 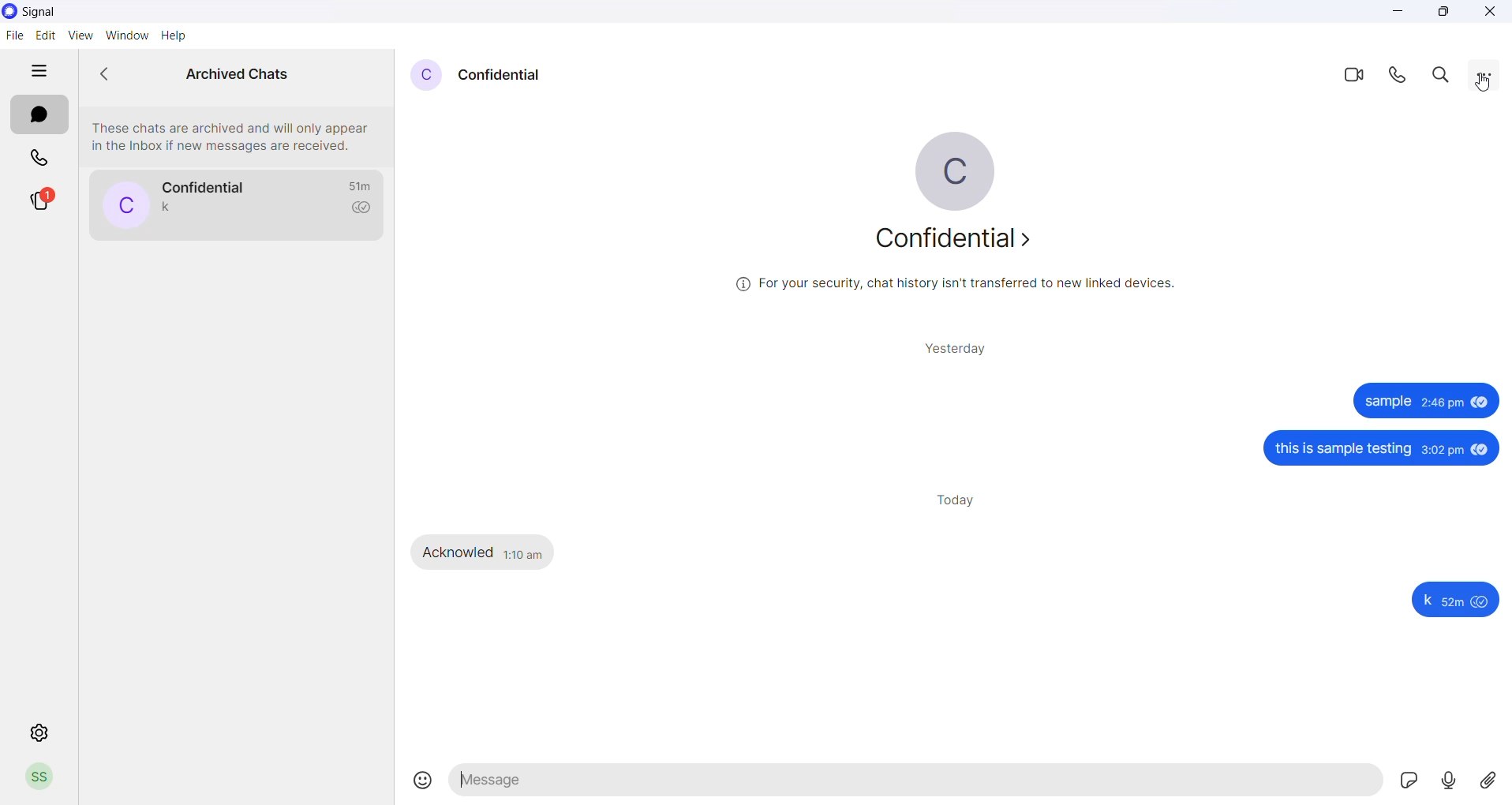 I want to click on security related text, so click(x=964, y=287).